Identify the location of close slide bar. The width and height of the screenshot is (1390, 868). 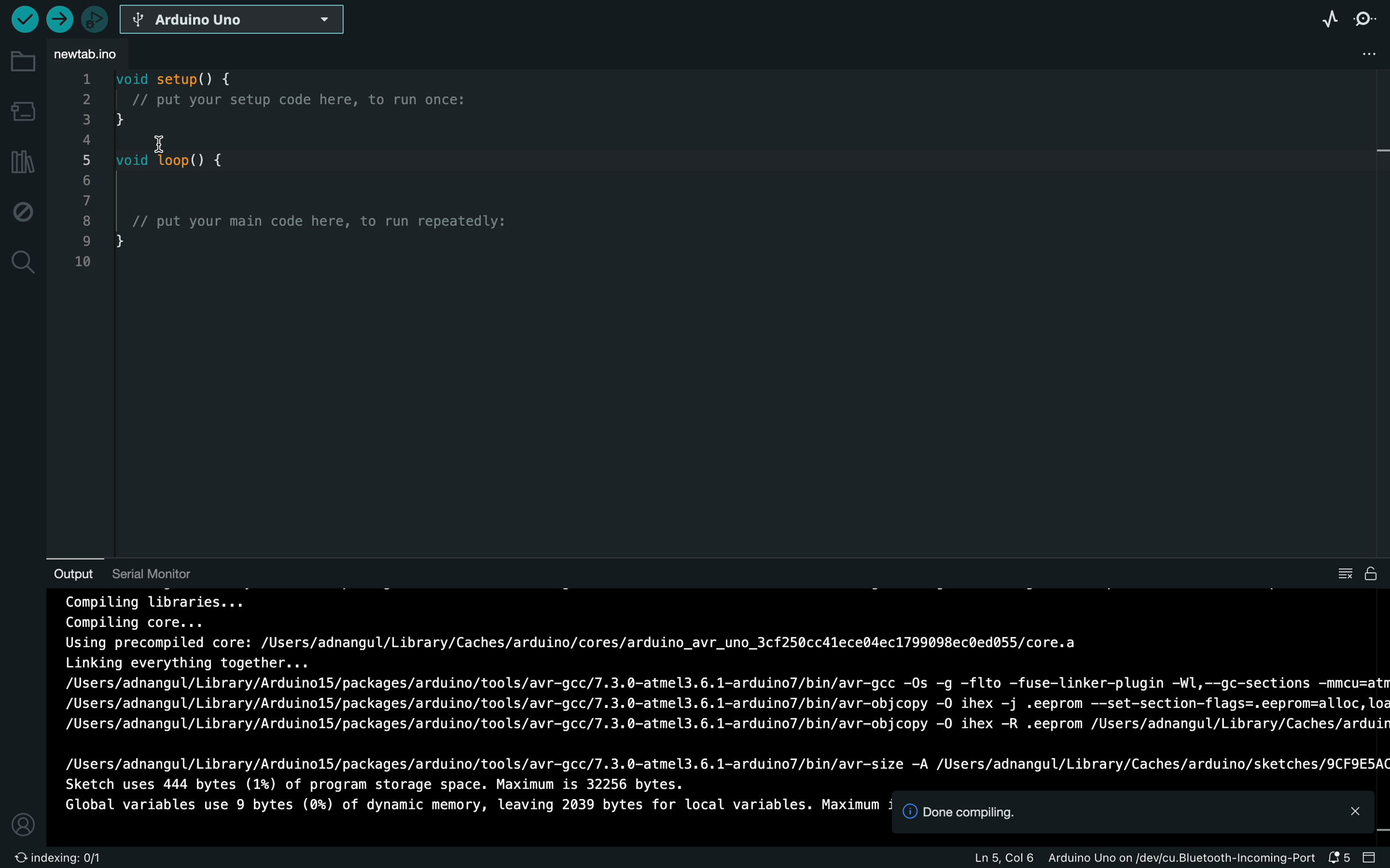
(1373, 855).